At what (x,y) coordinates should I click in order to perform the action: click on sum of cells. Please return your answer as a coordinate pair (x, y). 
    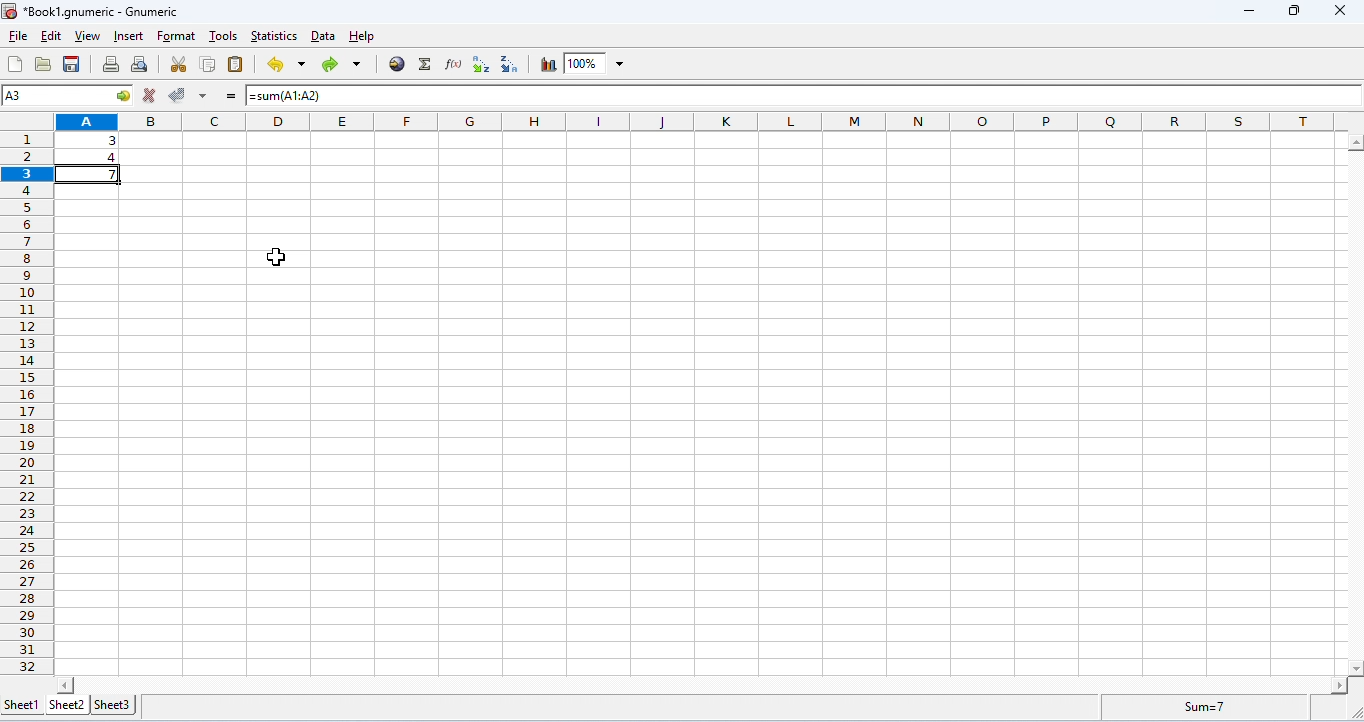
    Looking at the image, I should click on (87, 176).